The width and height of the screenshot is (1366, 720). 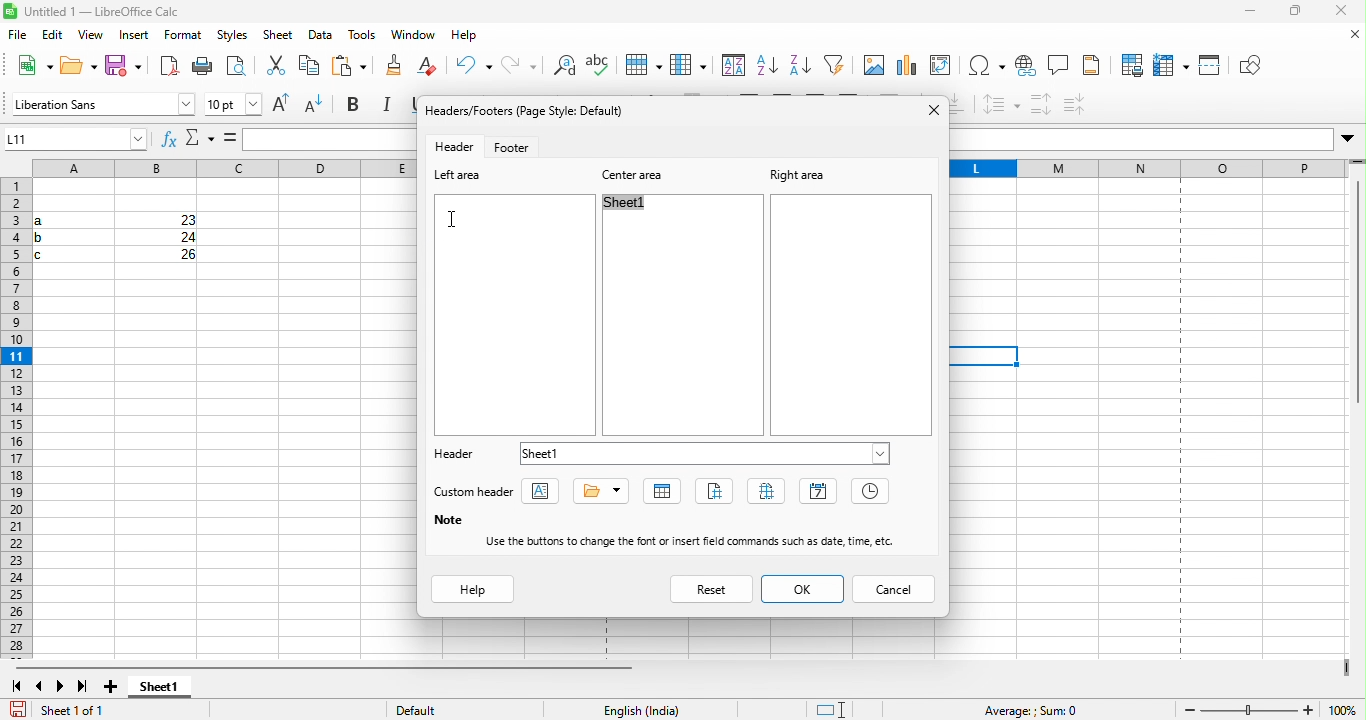 I want to click on paste, so click(x=307, y=68).